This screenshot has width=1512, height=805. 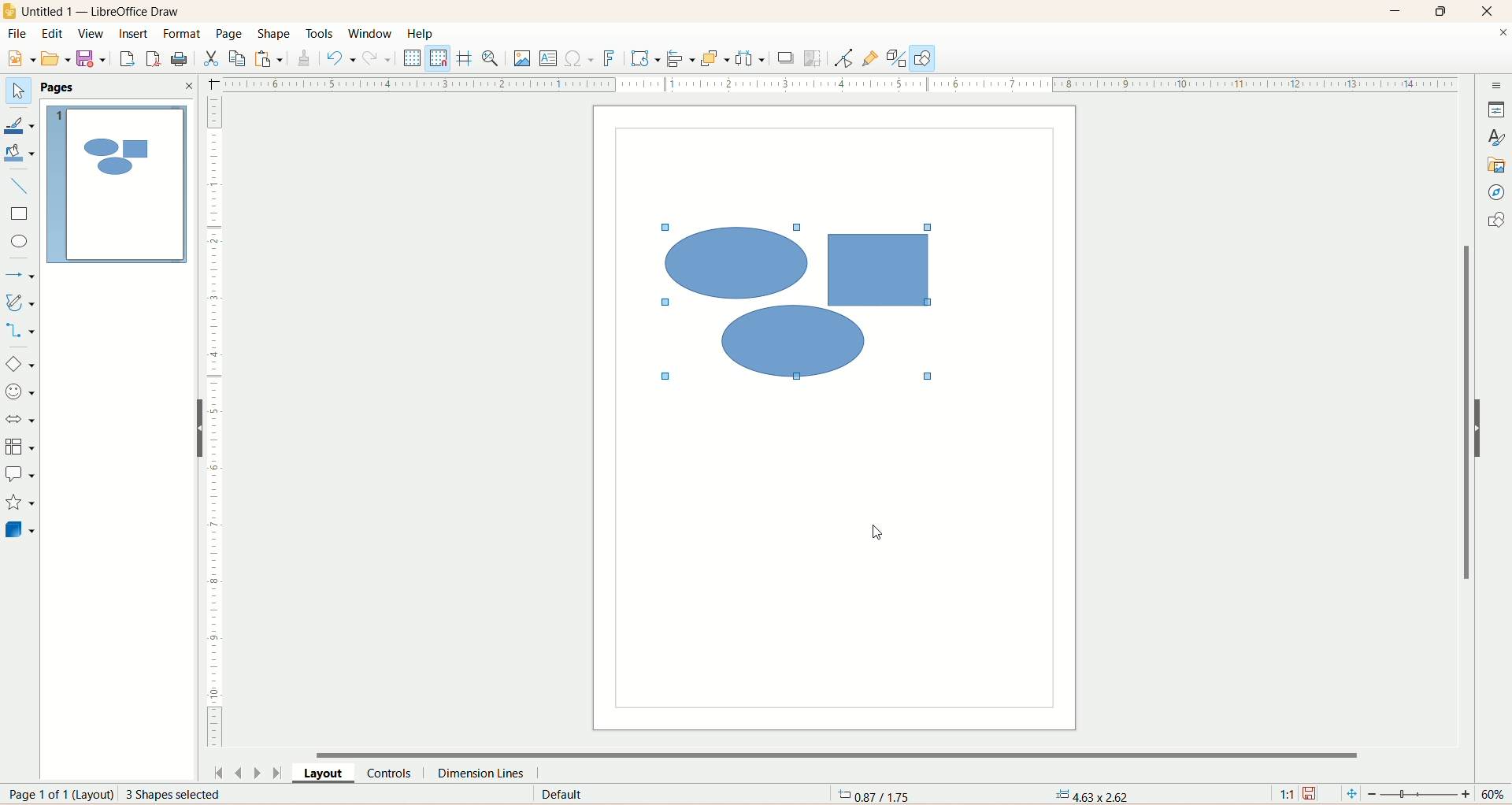 What do you see at coordinates (1288, 792) in the screenshot?
I see `scalling factor` at bounding box center [1288, 792].